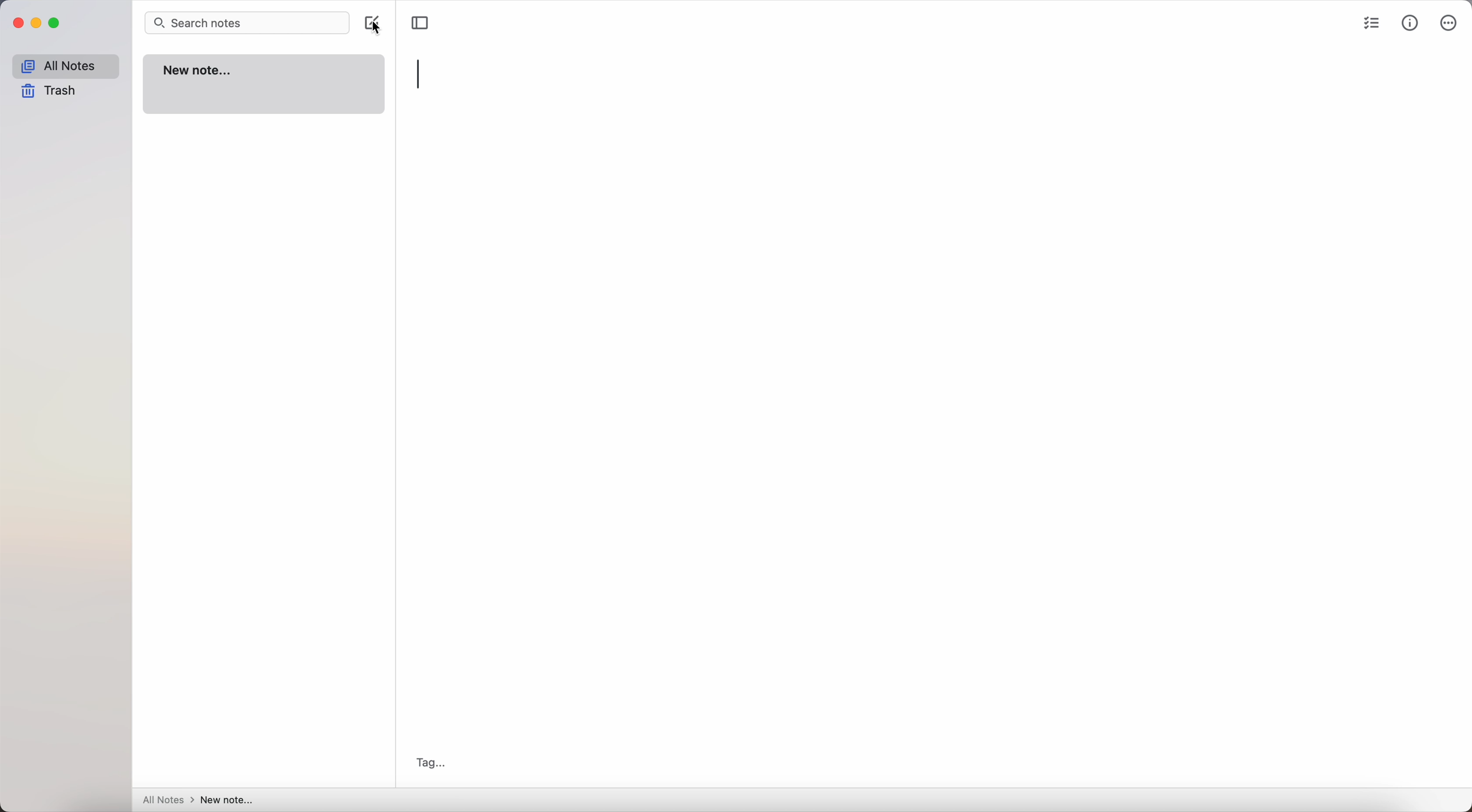 The image size is (1472, 812). What do you see at coordinates (431, 763) in the screenshot?
I see `tag` at bounding box center [431, 763].